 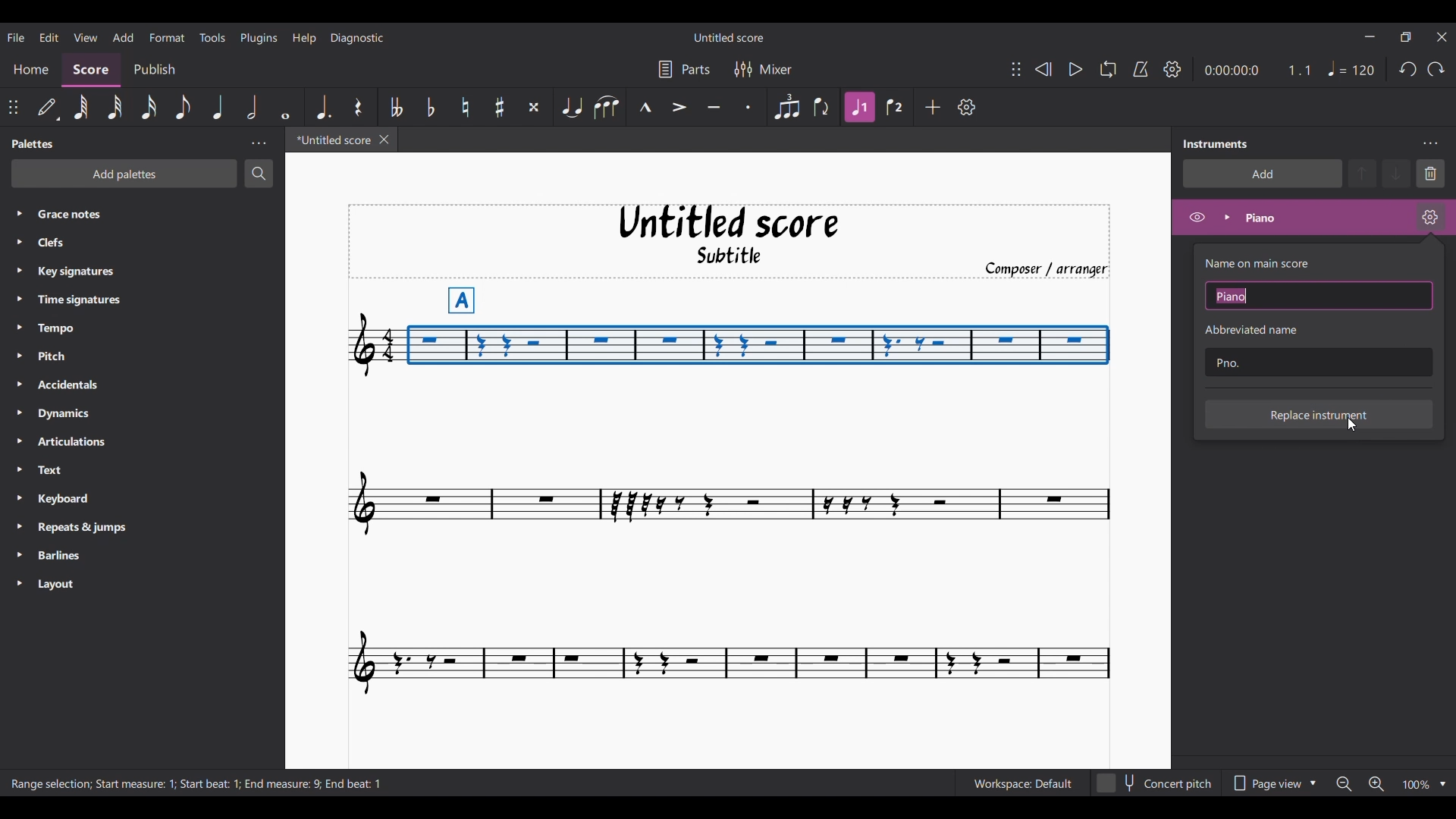 I want to click on Voice 2, so click(x=894, y=108).